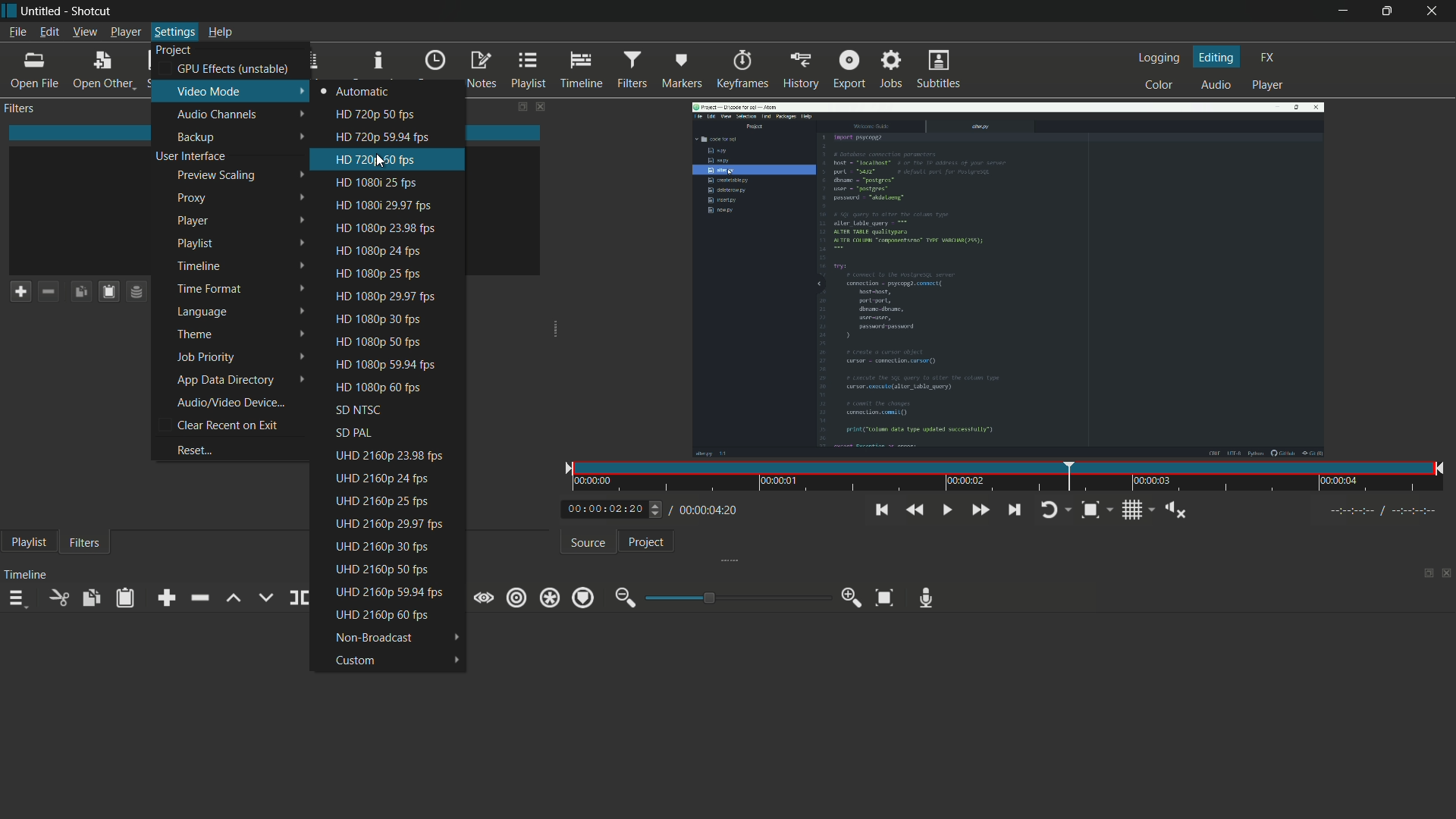  I want to click on project, so click(175, 51).